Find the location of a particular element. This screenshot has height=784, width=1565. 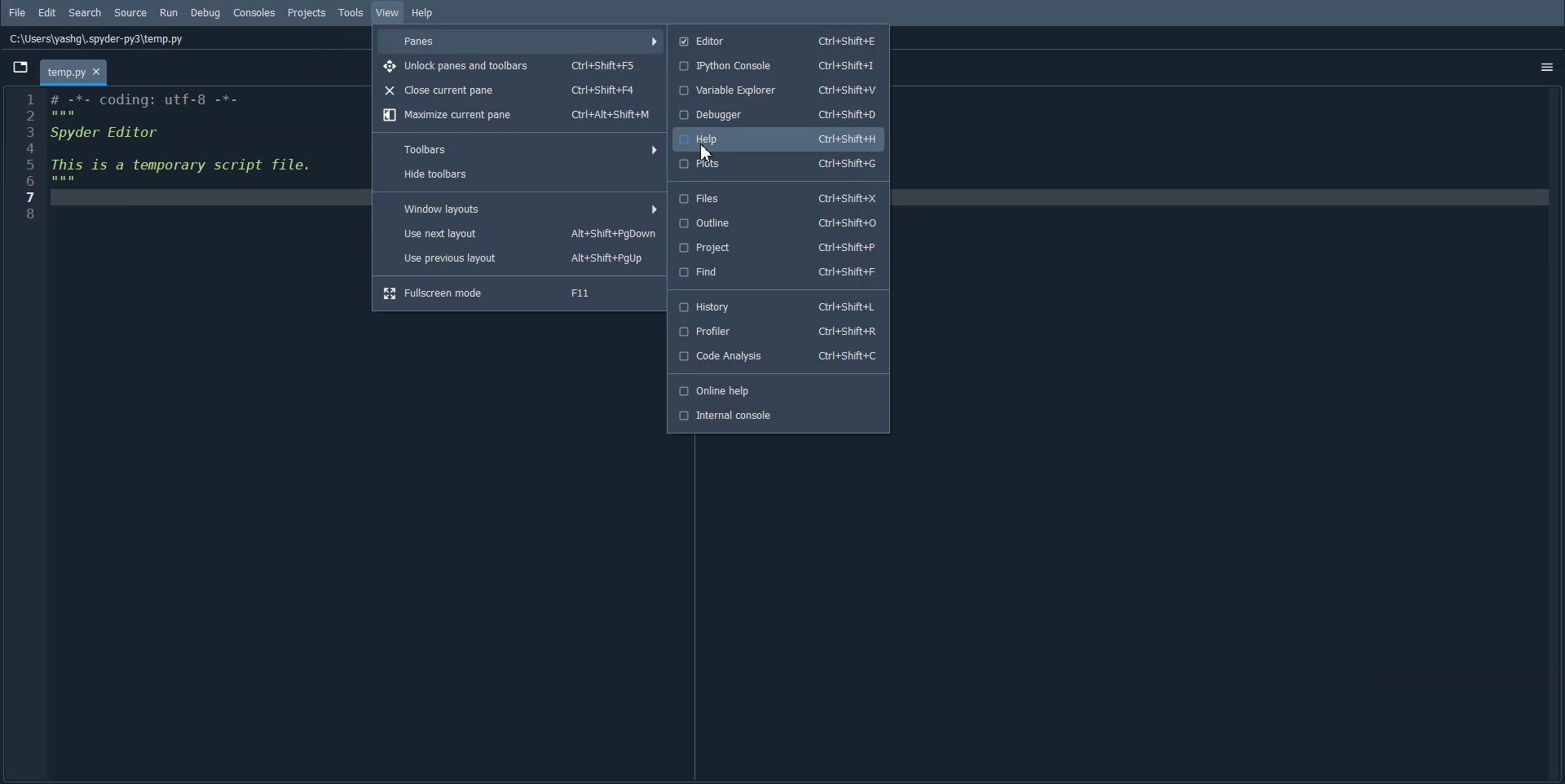

Variable Explore is located at coordinates (779, 90).